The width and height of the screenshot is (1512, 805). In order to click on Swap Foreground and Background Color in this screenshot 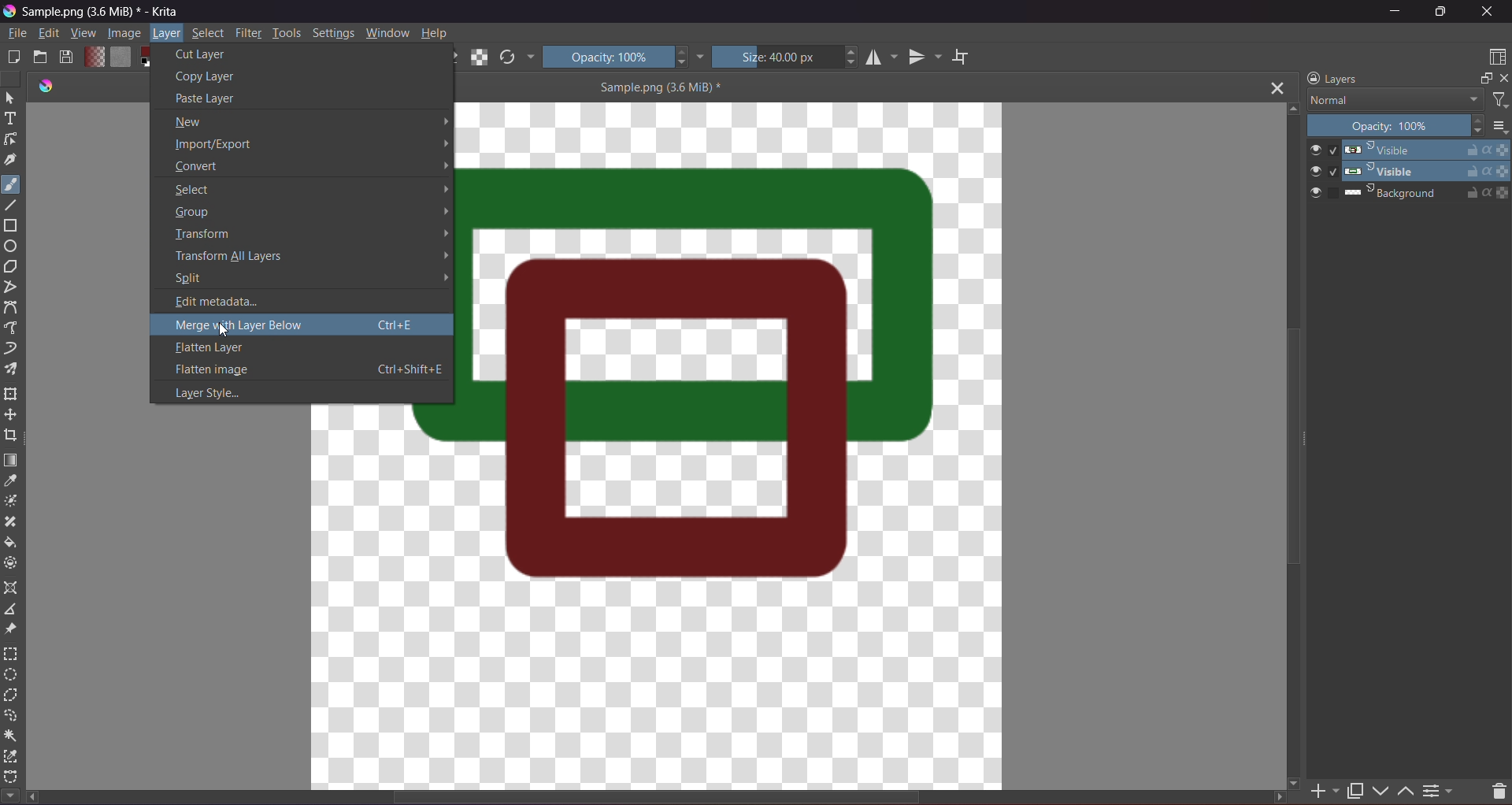, I will do `click(152, 56)`.